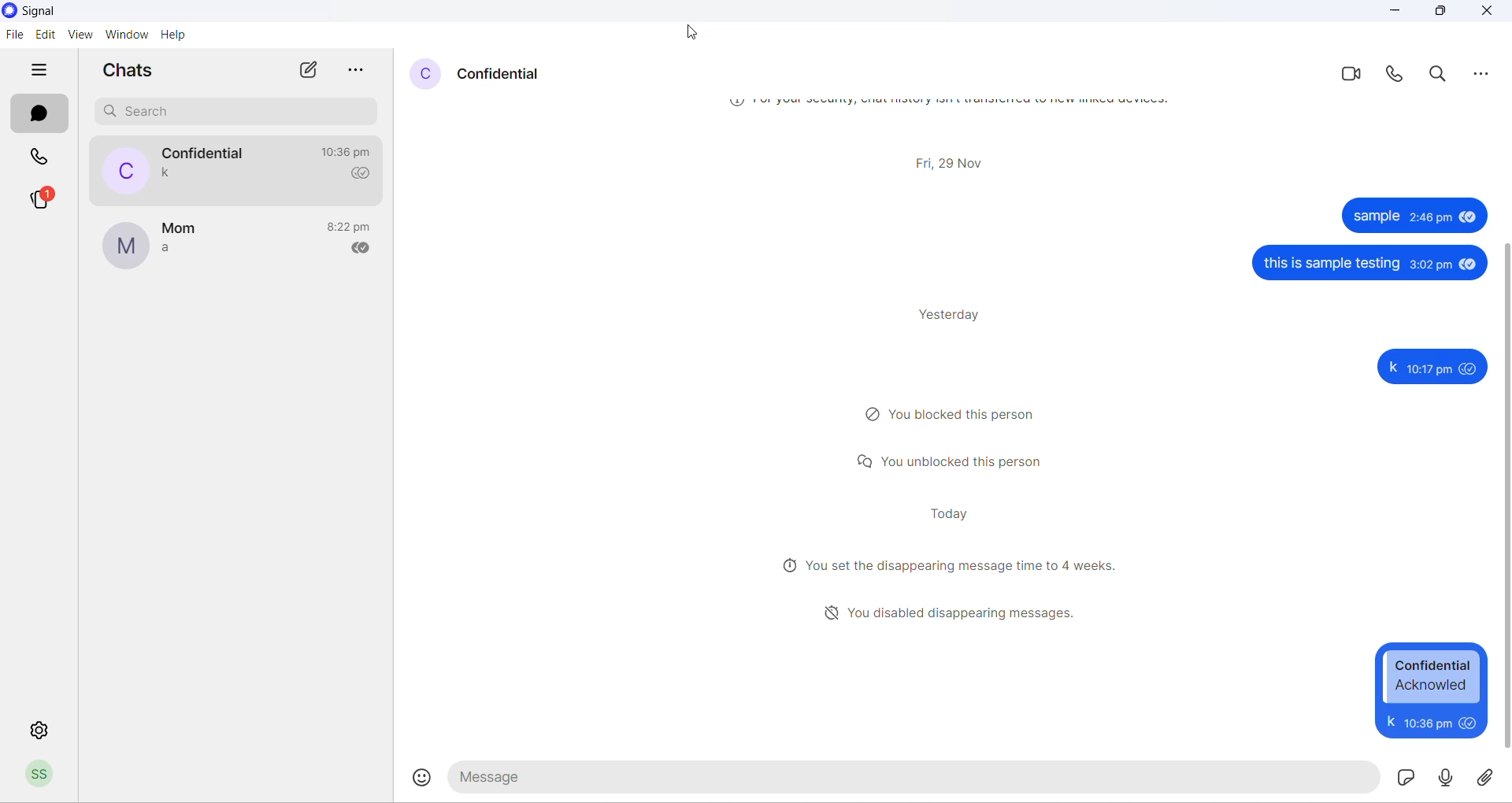 The width and height of the screenshot is (1512, 803). What do you see at coordinates (1376, 216) in the screenshot?
I see `sample` at bounding box center [1376, 216].